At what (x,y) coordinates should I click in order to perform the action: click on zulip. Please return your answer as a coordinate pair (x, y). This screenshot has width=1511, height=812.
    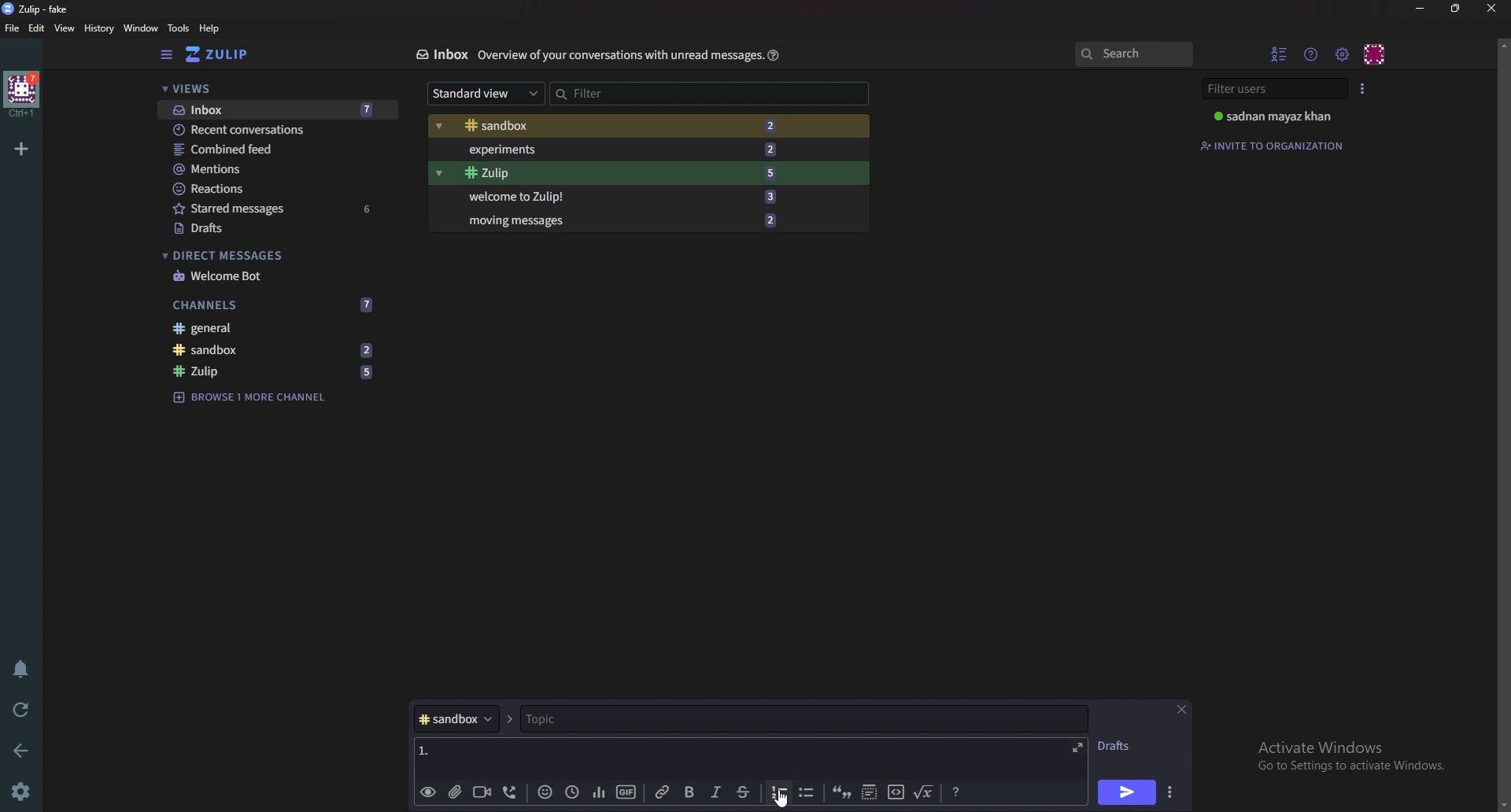
    Looking at the image, I should click on (279, 372).